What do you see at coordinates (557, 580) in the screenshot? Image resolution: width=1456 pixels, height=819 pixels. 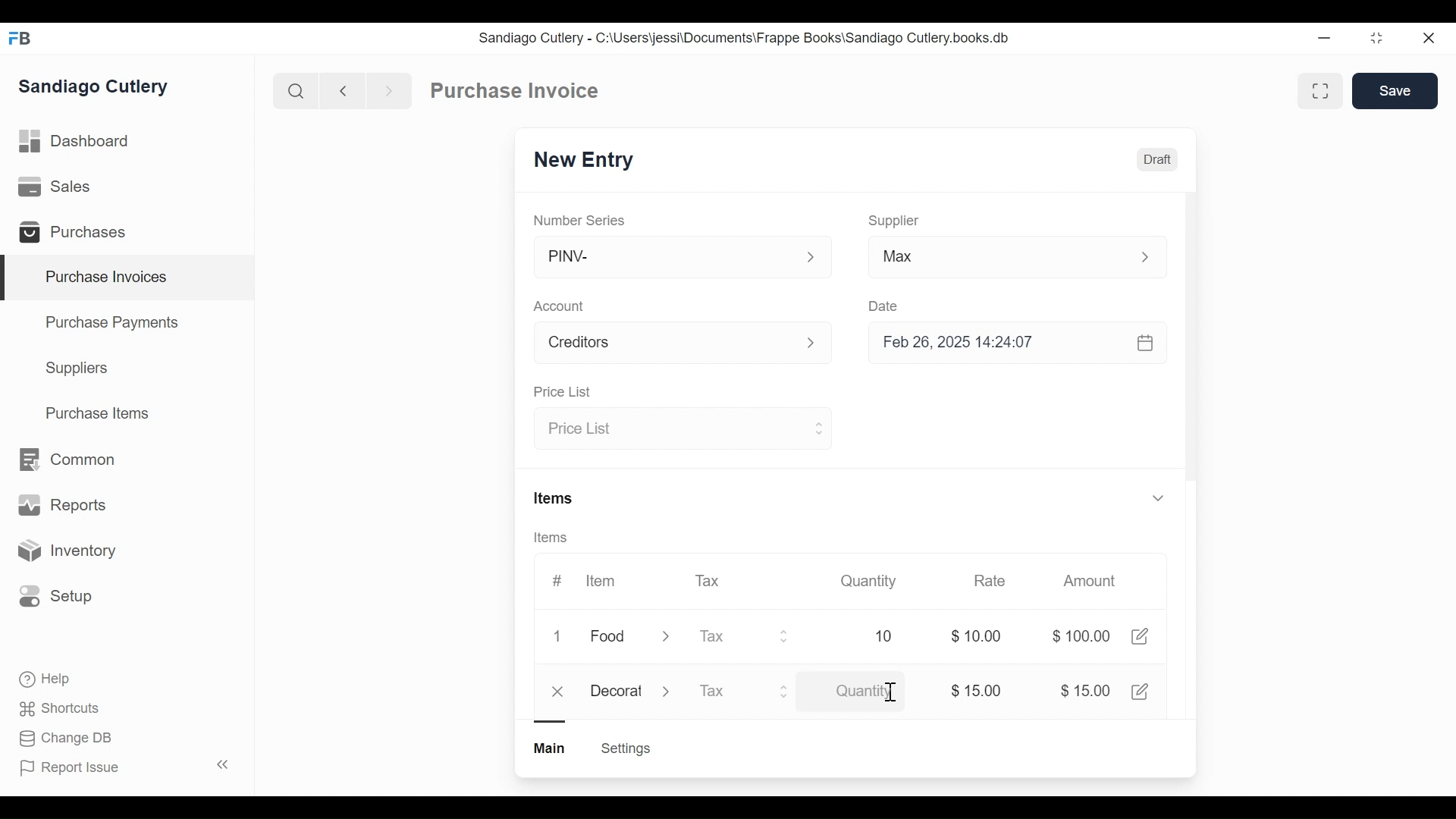 I see `#` at bounding box center [557, 580].